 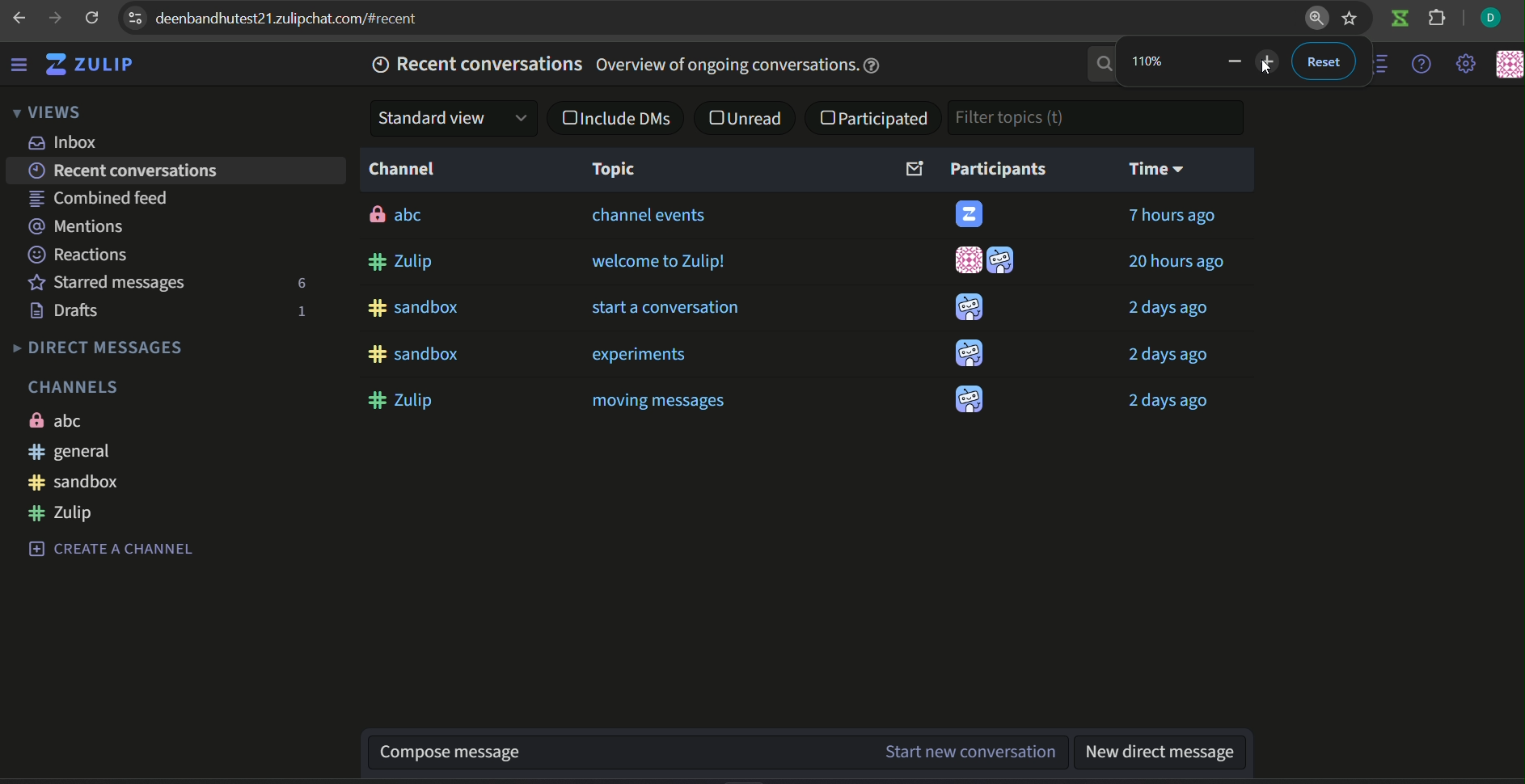 I want to click on DIRECT MESSAGES, so click(x=97, y=349).